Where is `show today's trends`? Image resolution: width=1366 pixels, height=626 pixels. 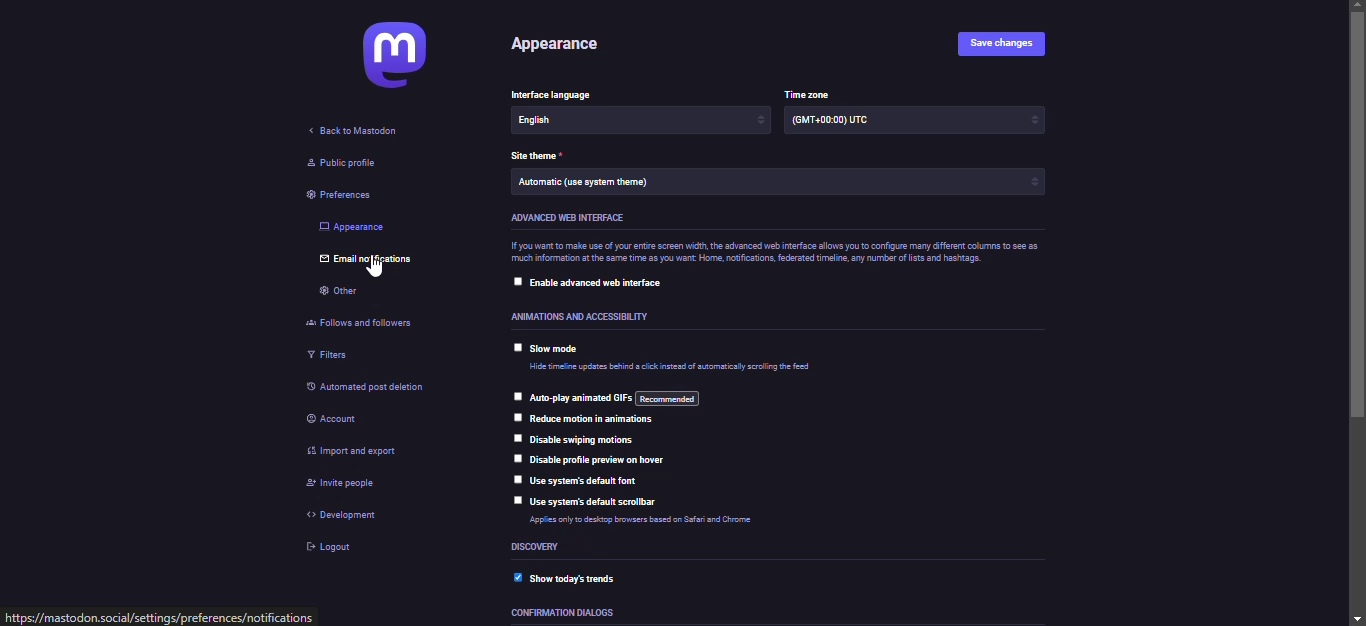
show today's trends is located at coordinates (575, 577).